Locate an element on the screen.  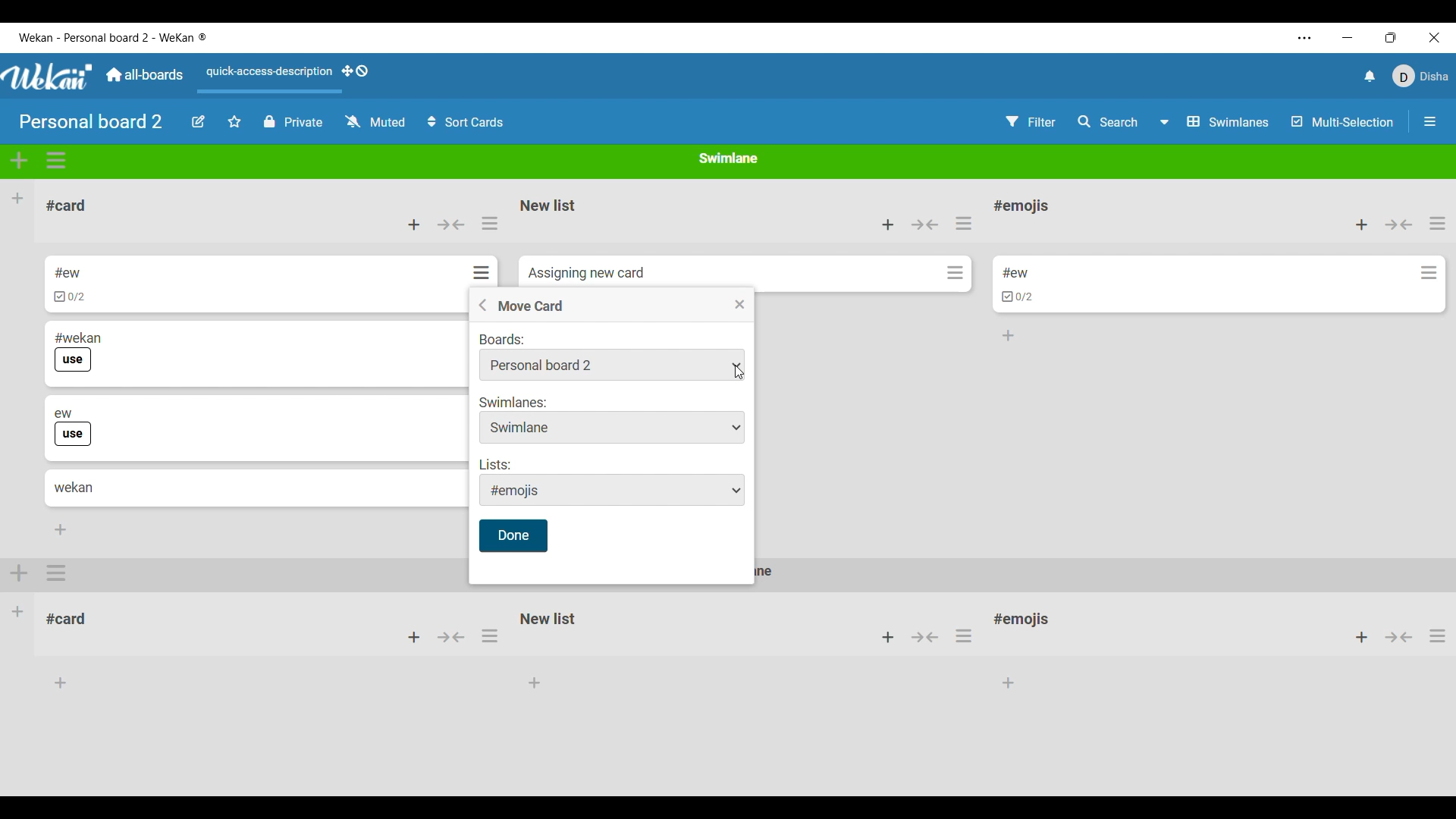
Indicates swimlane options is located at coordinates (513, 402).